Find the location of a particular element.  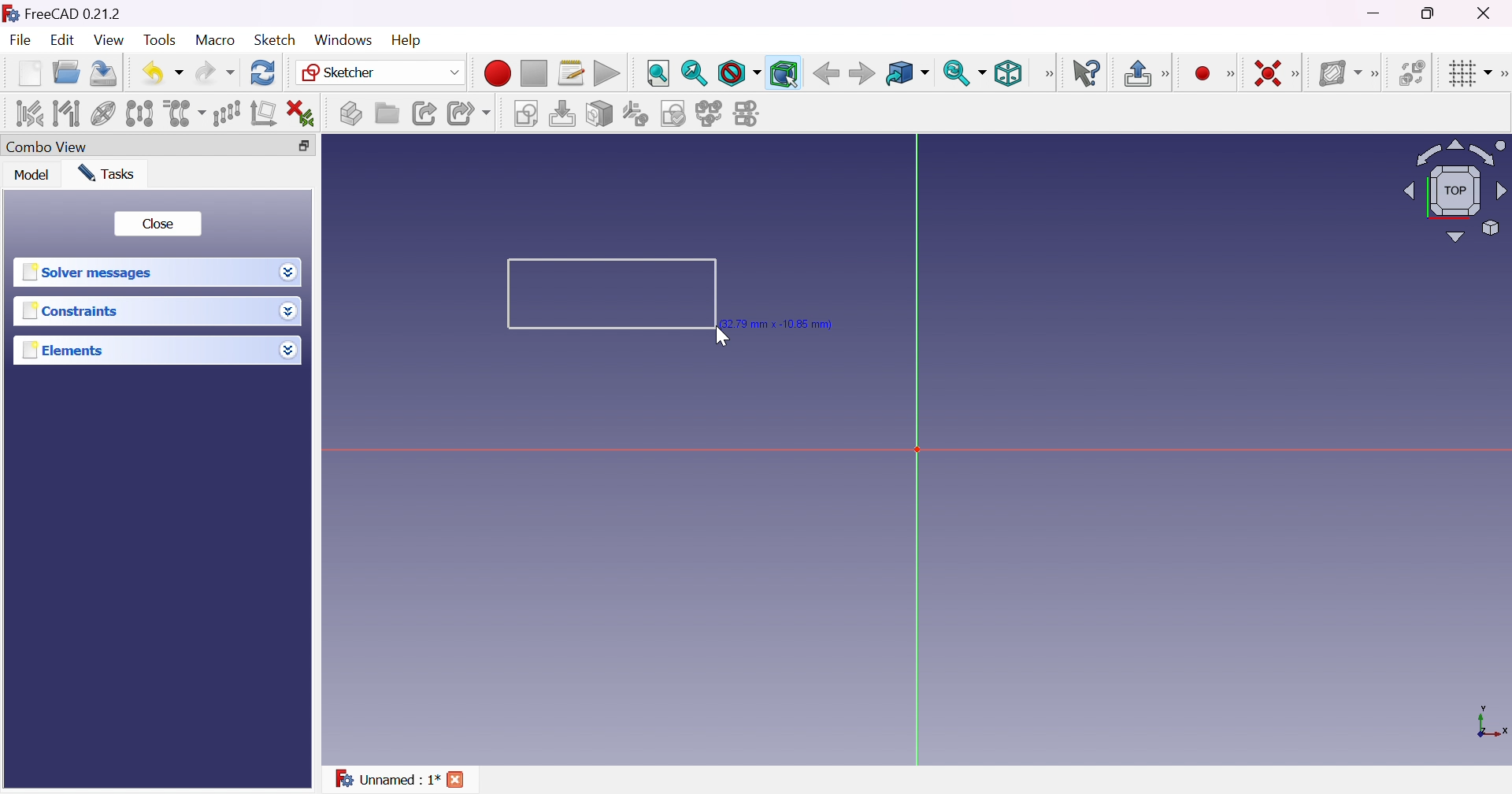

icon is located at coordinates (10, 13).